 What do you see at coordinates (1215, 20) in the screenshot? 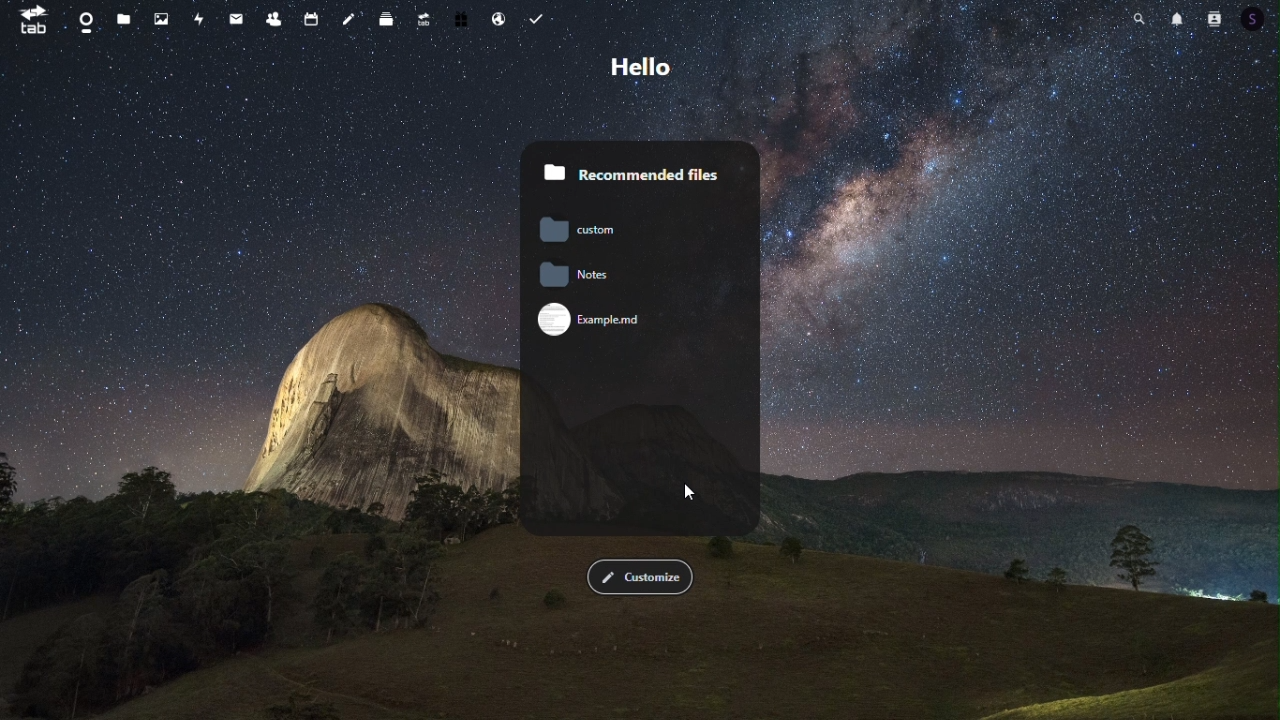
I see `Account icon` at bounding box center [1215, 20].